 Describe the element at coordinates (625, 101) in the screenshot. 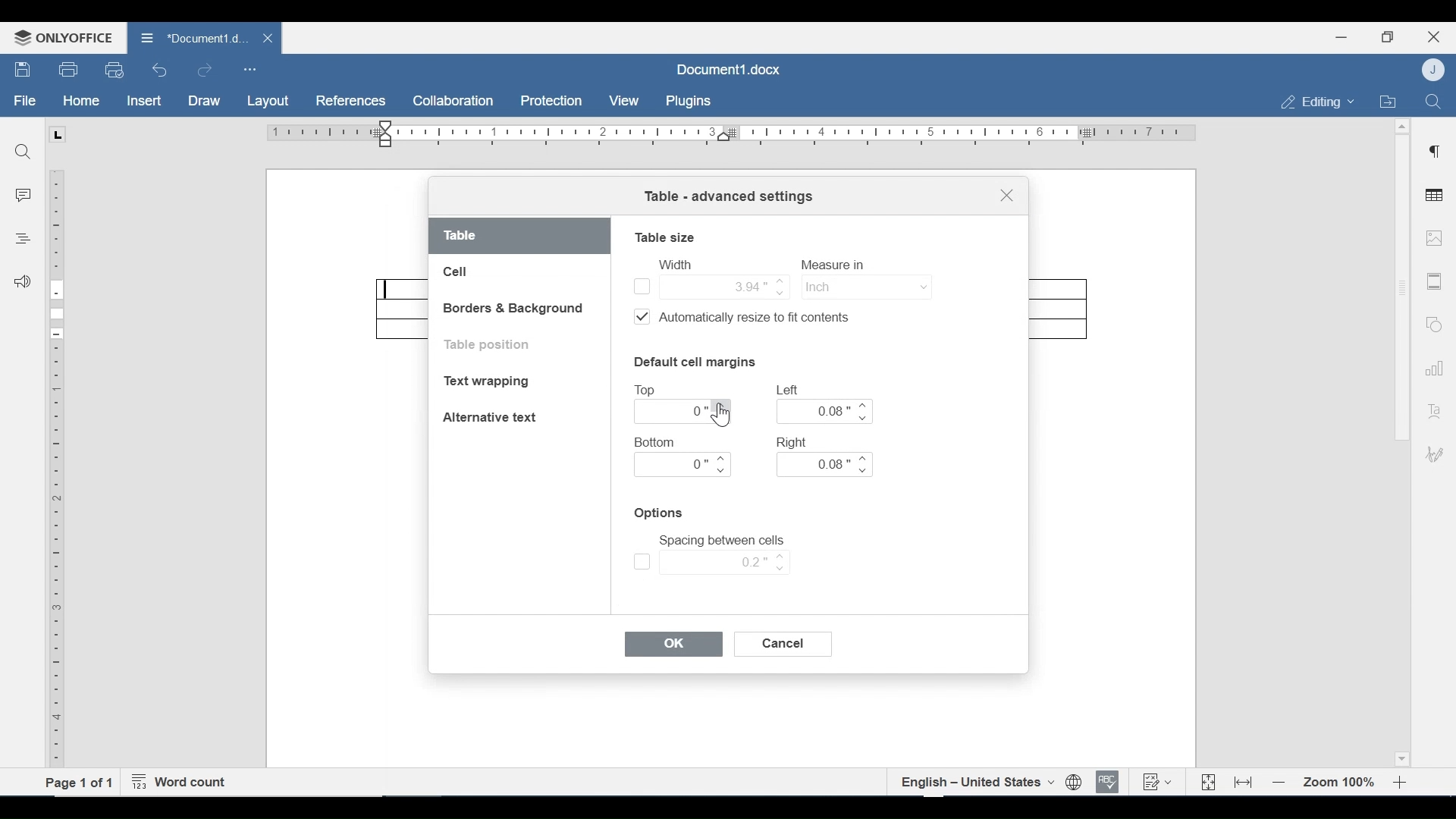

I see `View` at that location.